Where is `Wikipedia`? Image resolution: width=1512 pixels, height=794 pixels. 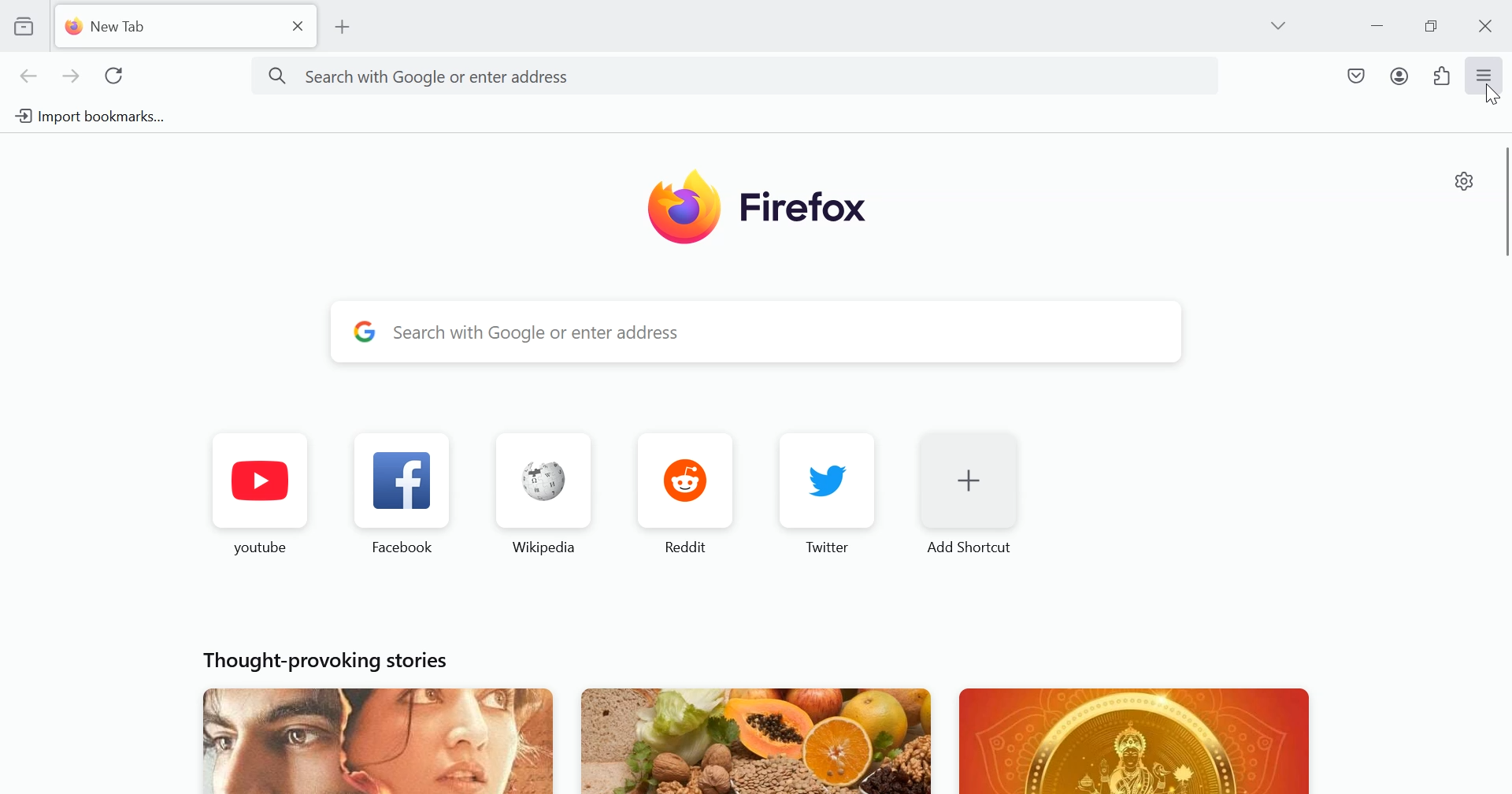
Wikipedia is located at coordinates (544, 493).